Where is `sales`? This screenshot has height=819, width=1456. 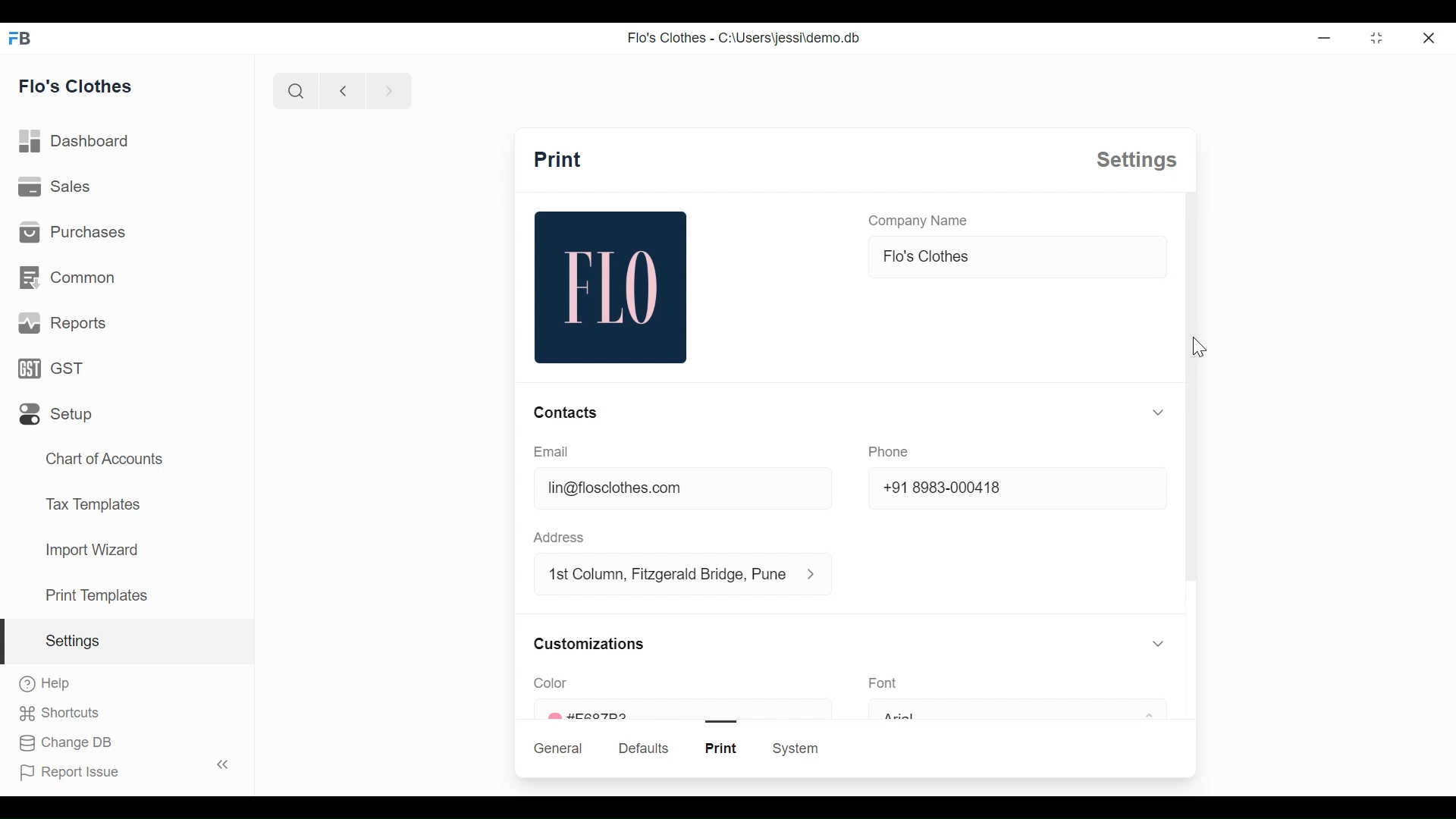
sales is located at coordinates (55, 185).